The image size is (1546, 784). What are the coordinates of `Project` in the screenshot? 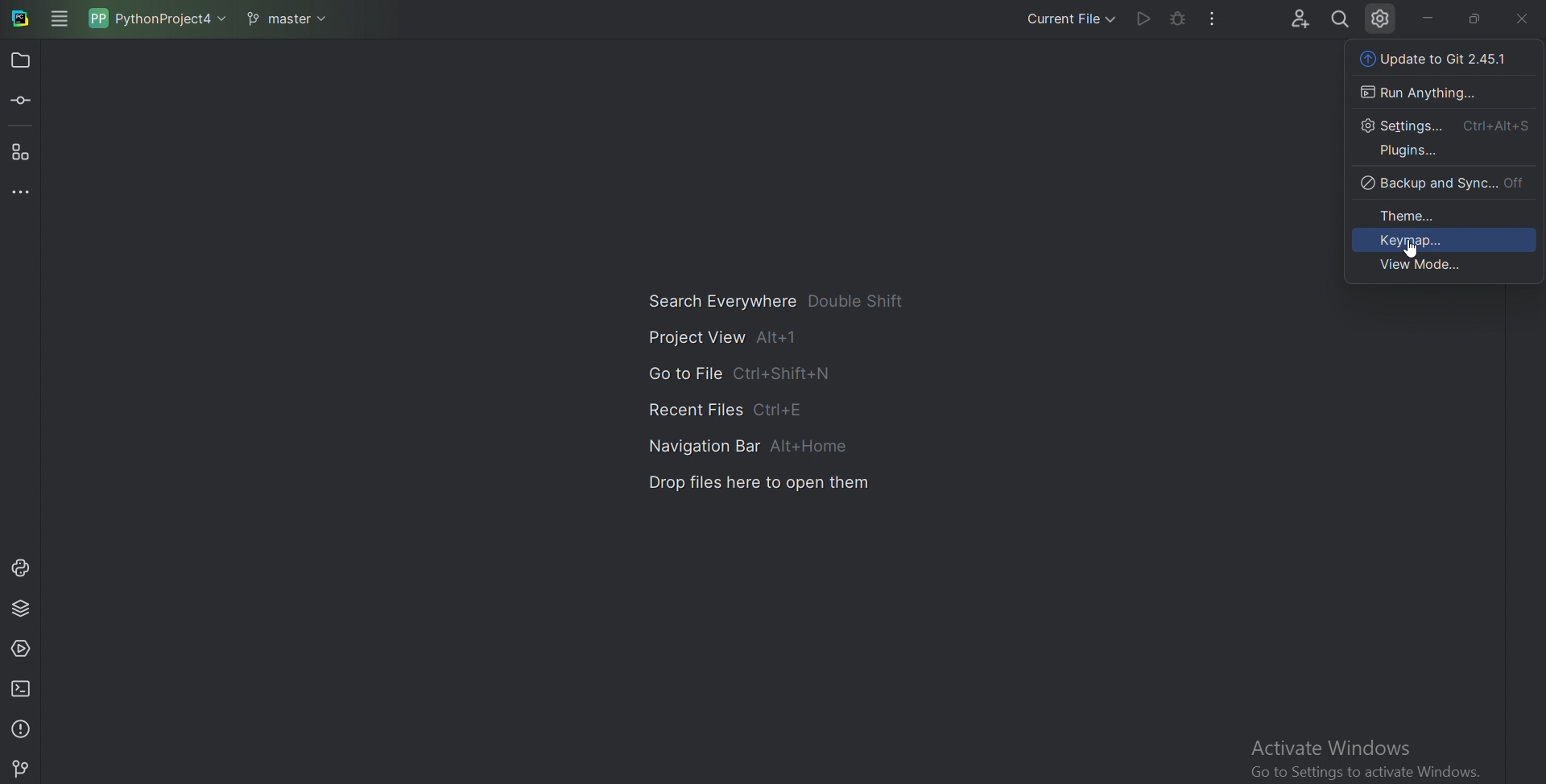 It's located at (23, 61).